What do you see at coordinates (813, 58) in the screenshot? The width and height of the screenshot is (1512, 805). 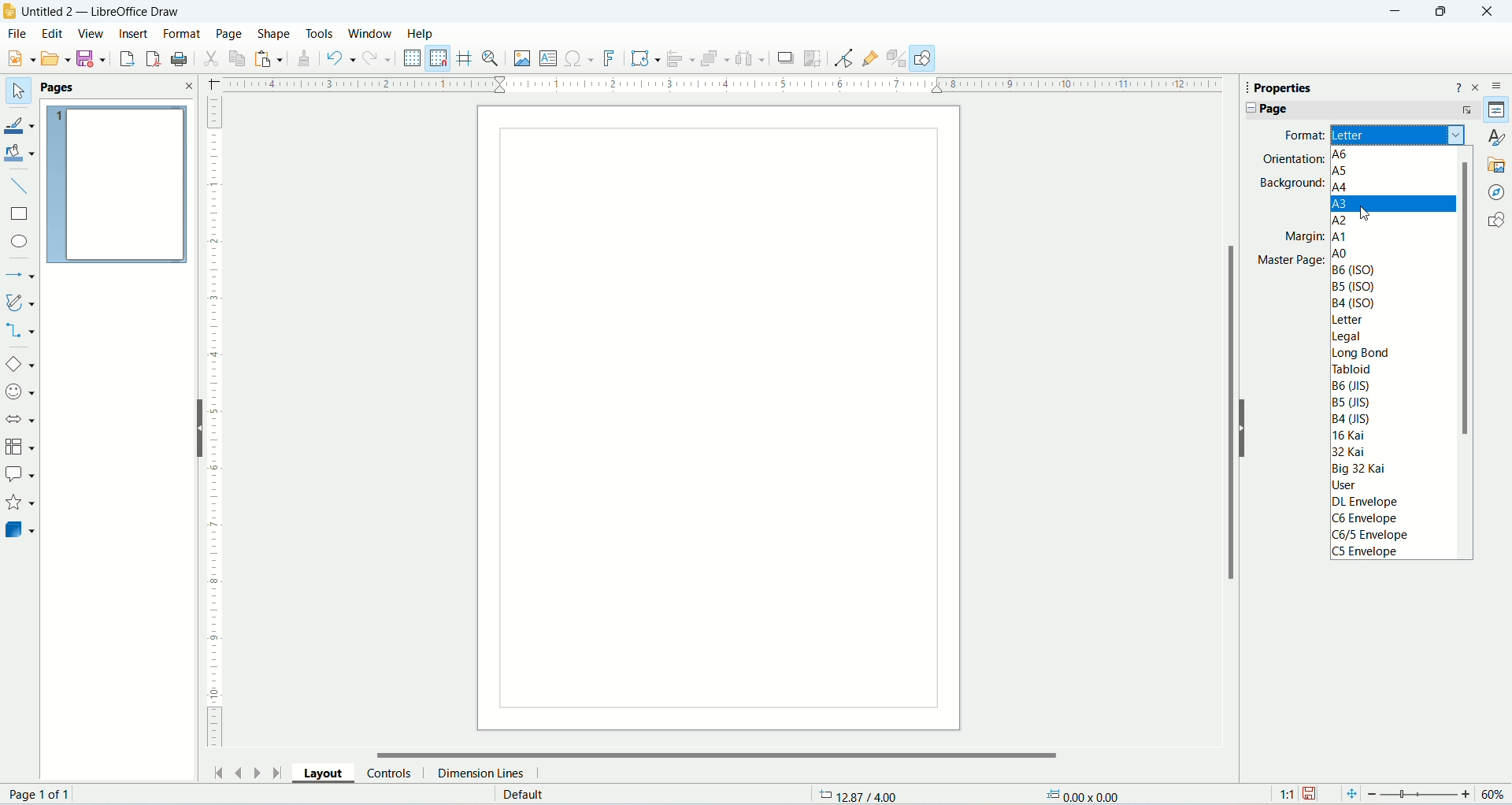 I see `crop image` at bounding box center [813, 58].